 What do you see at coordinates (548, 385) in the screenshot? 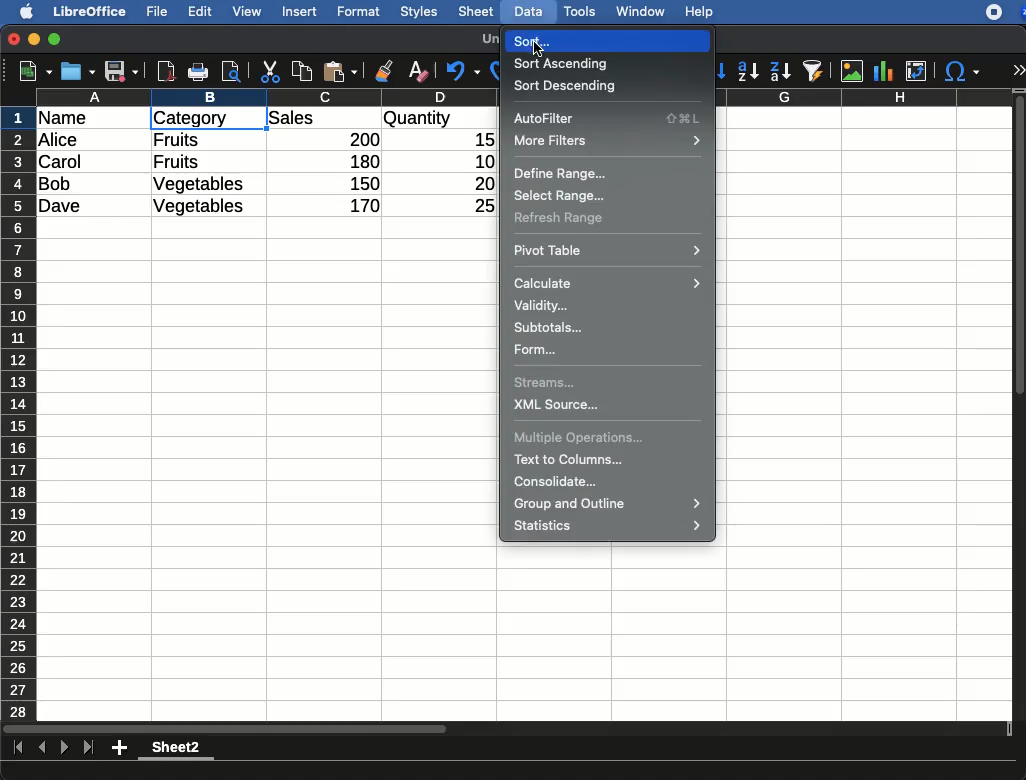
I see `streams` at bounding box center [548, 385].